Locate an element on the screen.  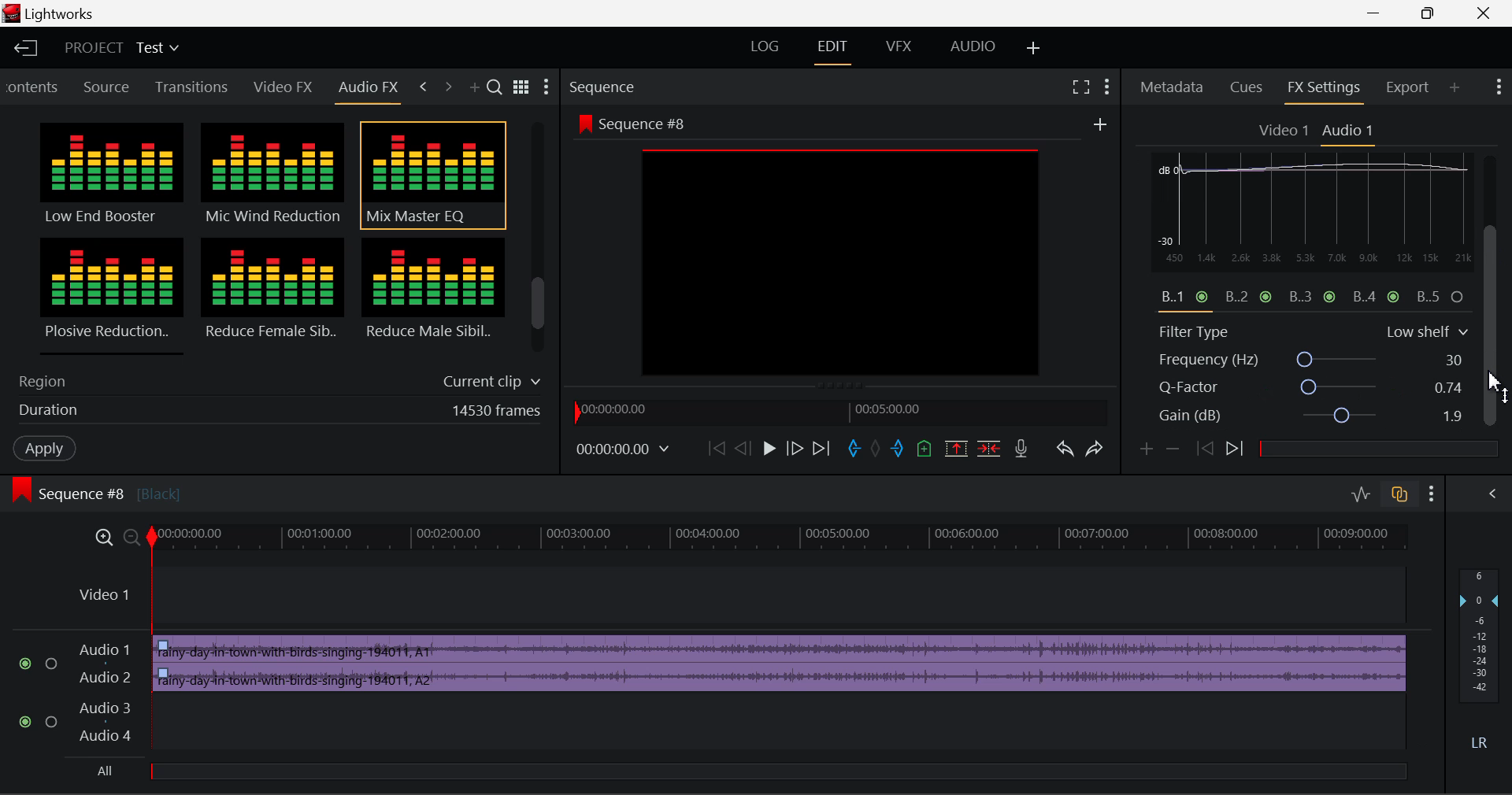
Go Back is located at coordinates (743, 449).